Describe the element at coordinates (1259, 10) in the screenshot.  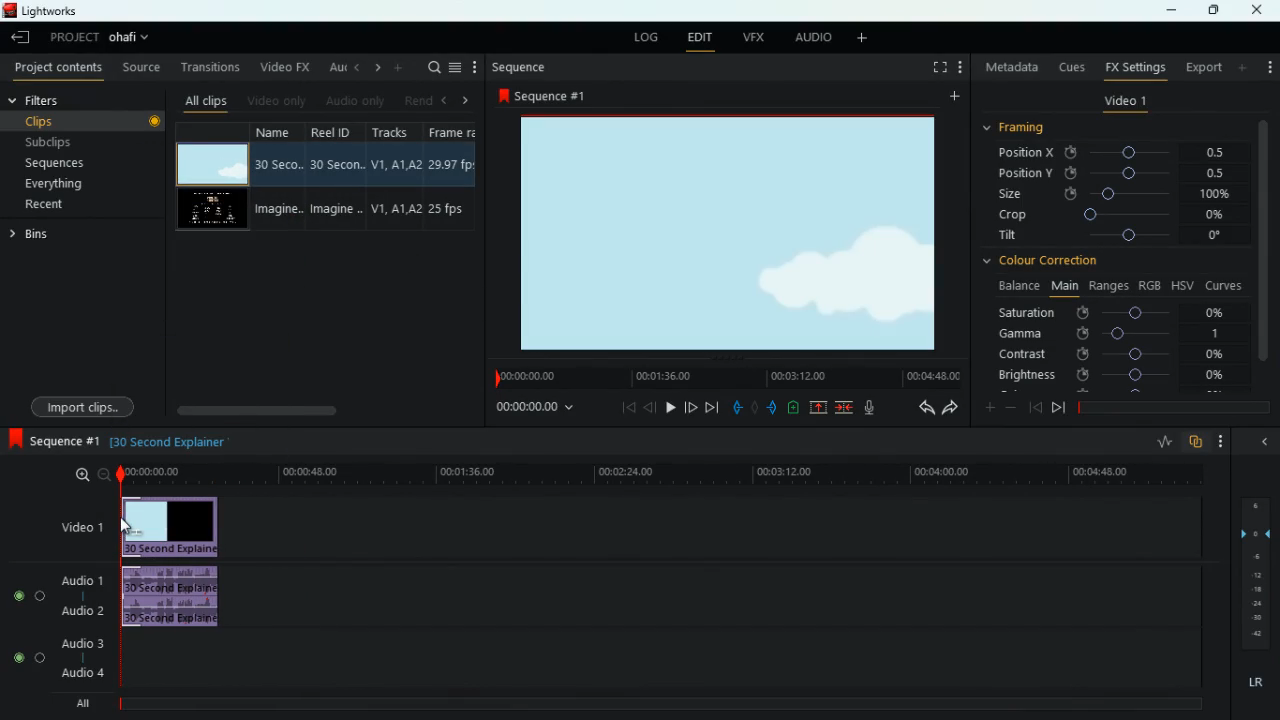
I see `close` at that location.